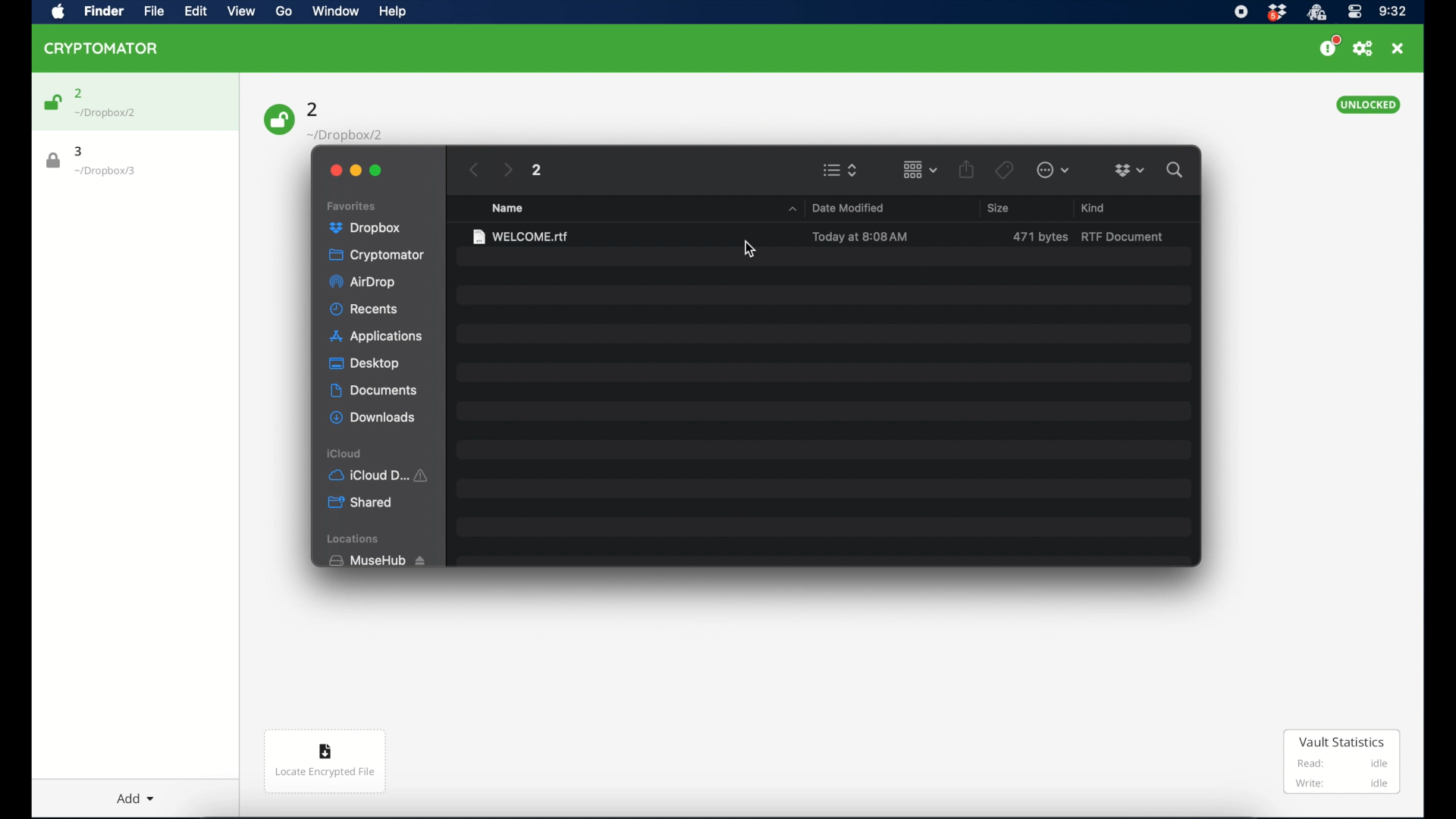  Describe the element at coordinates (966, 170) in the screenshot. I see `share` at that location.